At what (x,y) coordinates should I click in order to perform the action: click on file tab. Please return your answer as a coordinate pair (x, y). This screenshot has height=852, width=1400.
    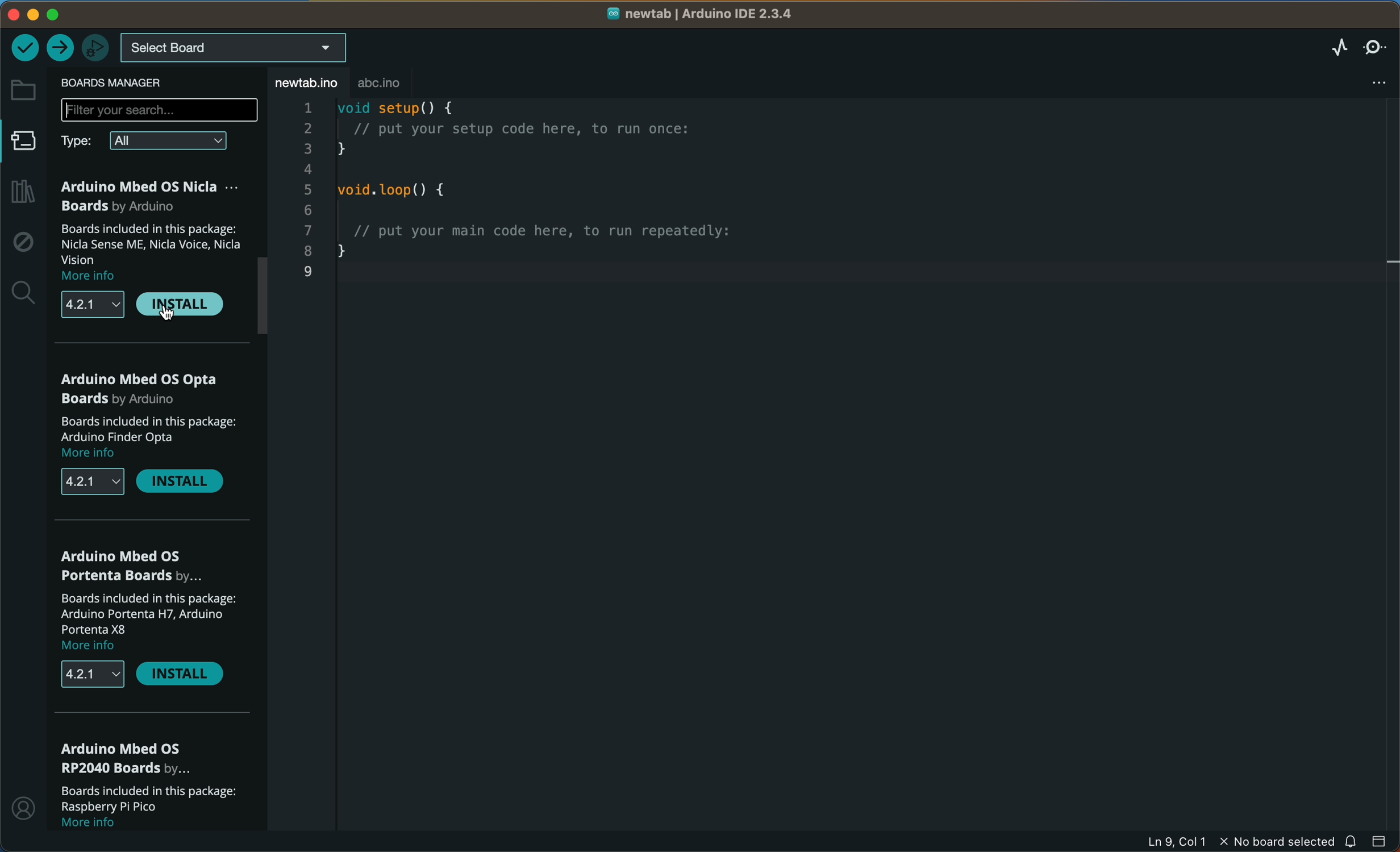
    Looking at the image, I should click on (307, 83).